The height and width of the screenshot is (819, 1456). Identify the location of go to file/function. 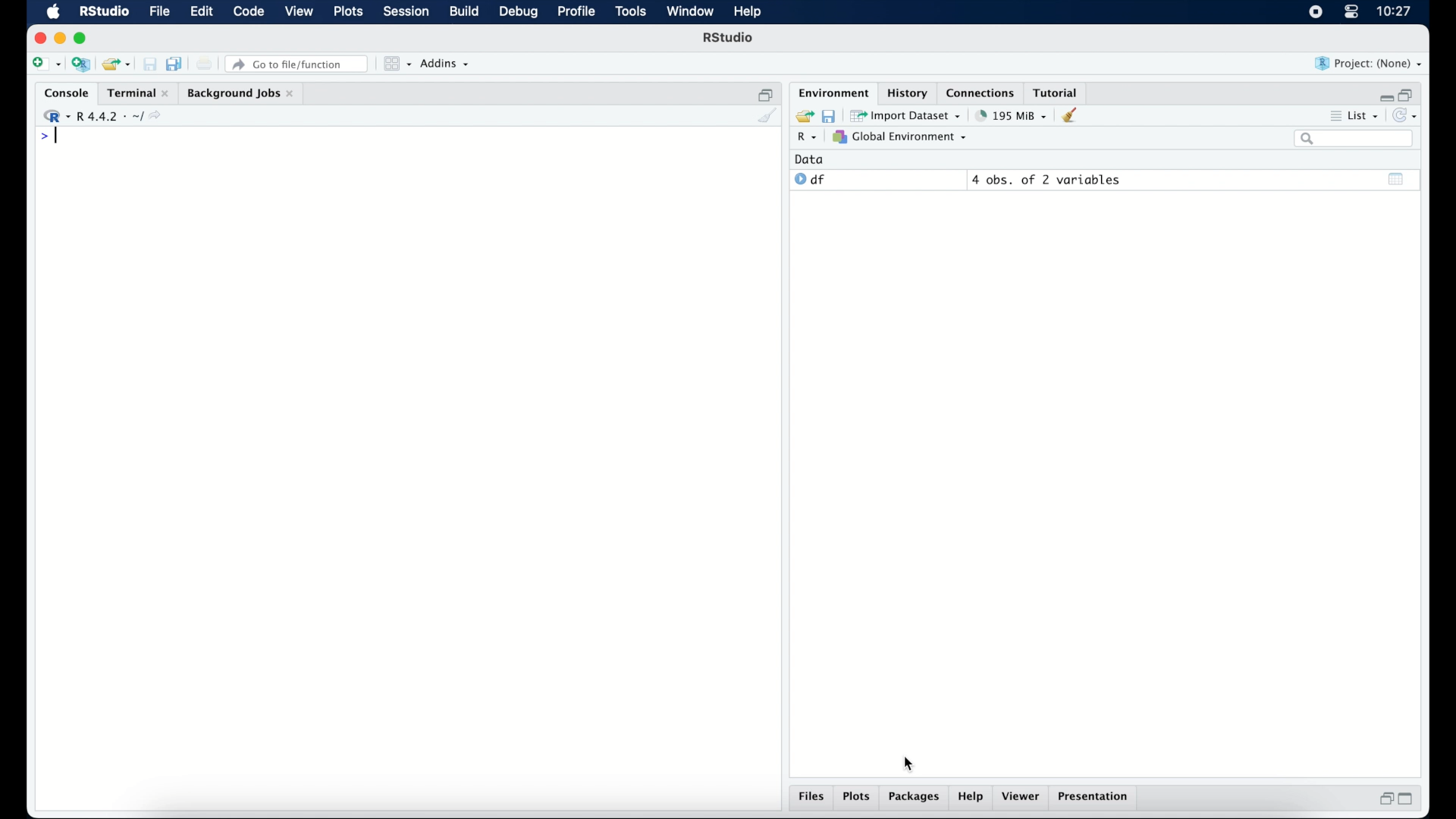
(297, 64).